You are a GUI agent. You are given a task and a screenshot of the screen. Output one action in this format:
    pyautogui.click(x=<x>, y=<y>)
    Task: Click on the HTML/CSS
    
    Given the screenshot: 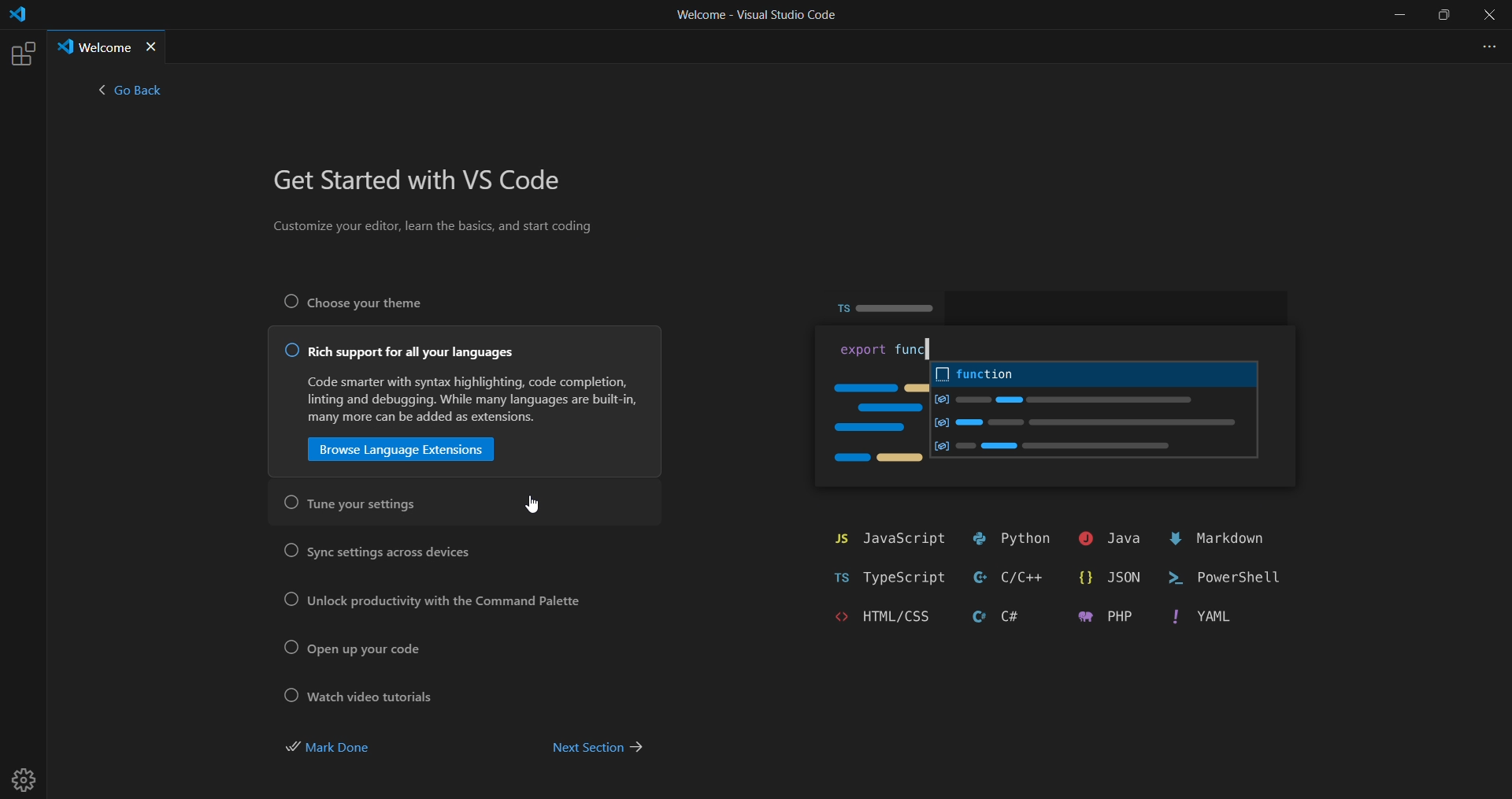 What is the action you would take?
    pyautogui.click(x=862, y=617)
    